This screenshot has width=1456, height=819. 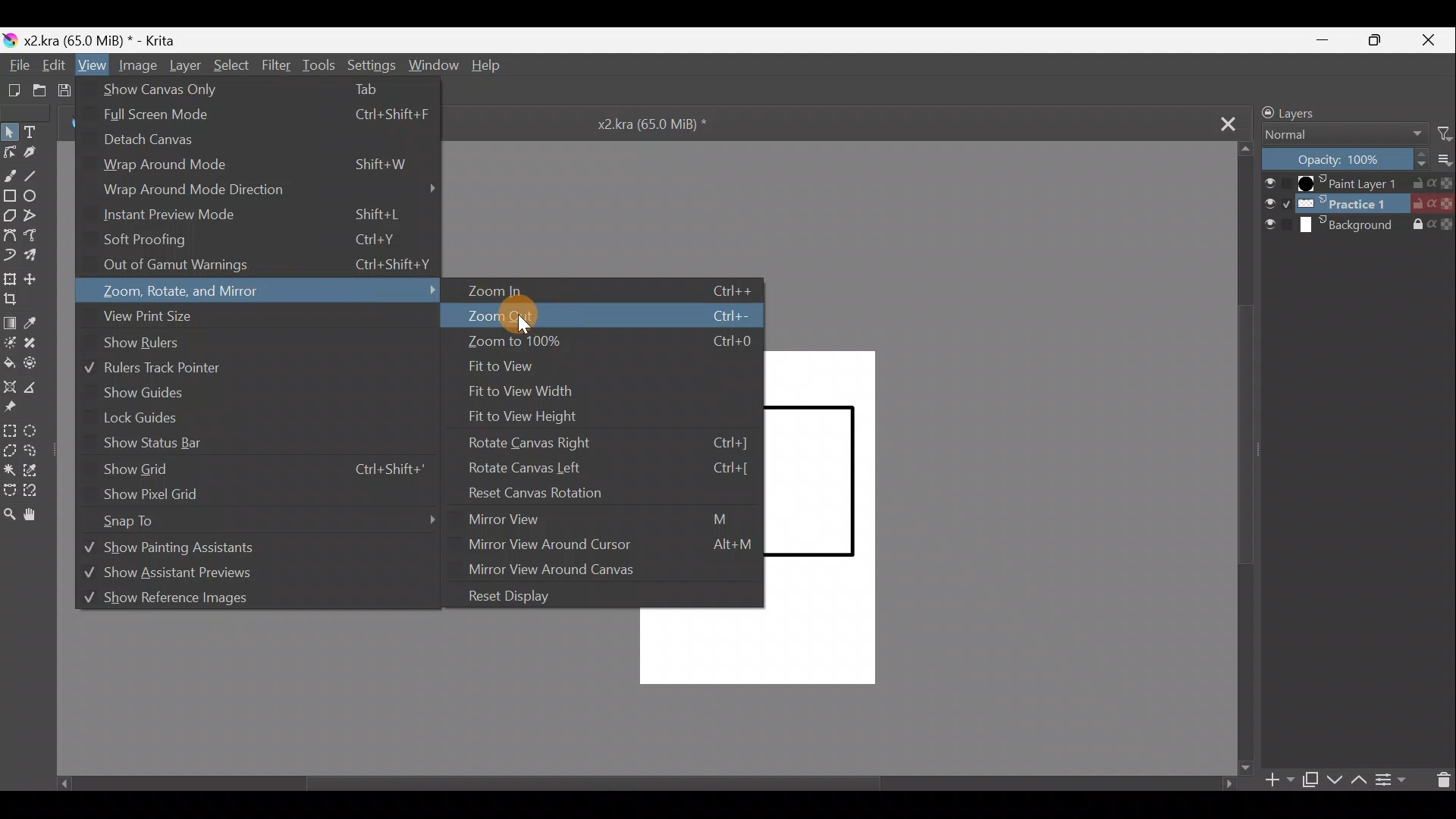 What do you see at coordinates (318, 65) in the screenshot?
I see `Tools` at bounding box center [318, 65].